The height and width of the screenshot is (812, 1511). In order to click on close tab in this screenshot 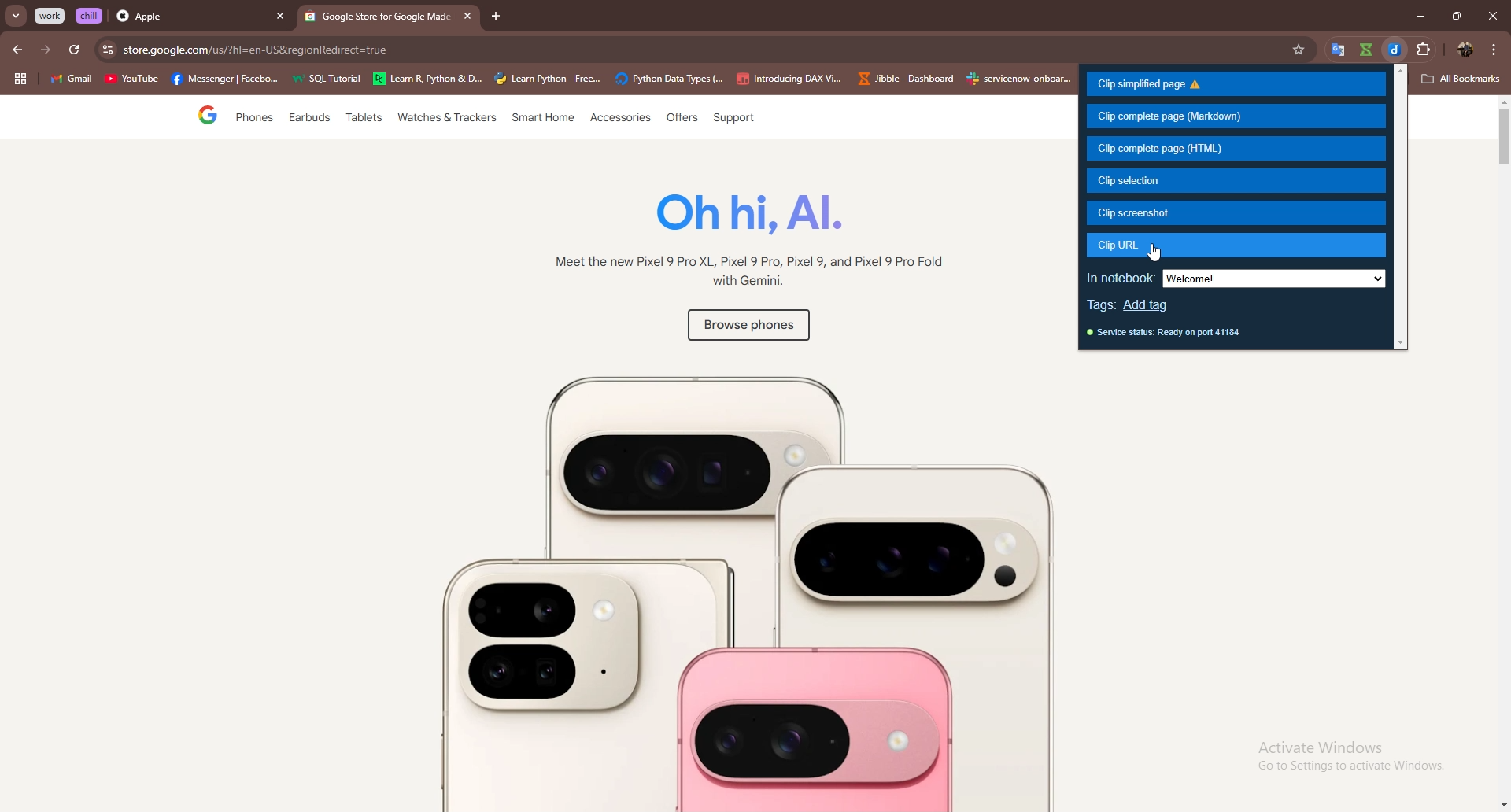, I will do `click(280, 17)`.